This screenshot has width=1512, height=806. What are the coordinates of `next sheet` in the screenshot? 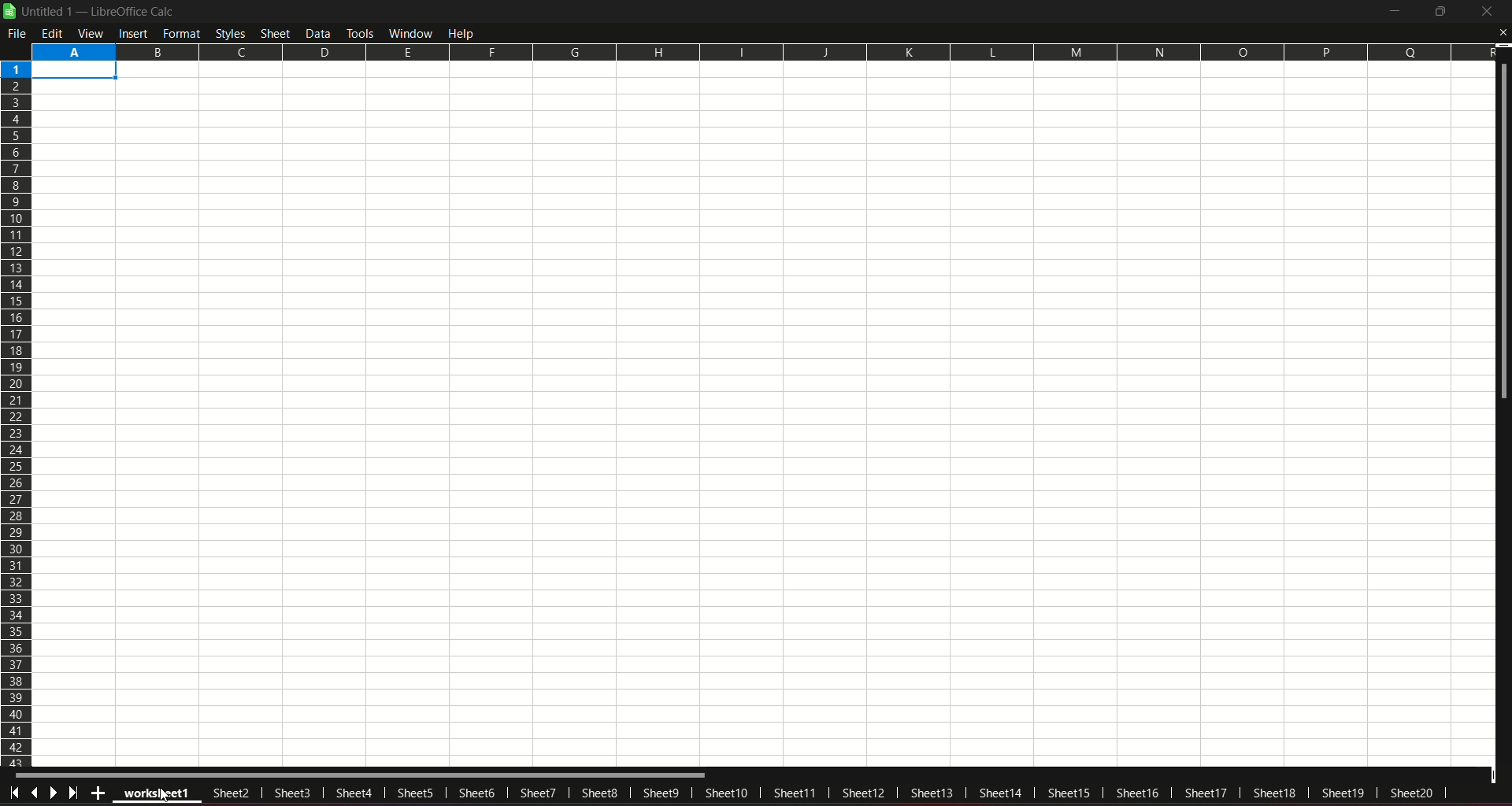 It's located at (55, 792).